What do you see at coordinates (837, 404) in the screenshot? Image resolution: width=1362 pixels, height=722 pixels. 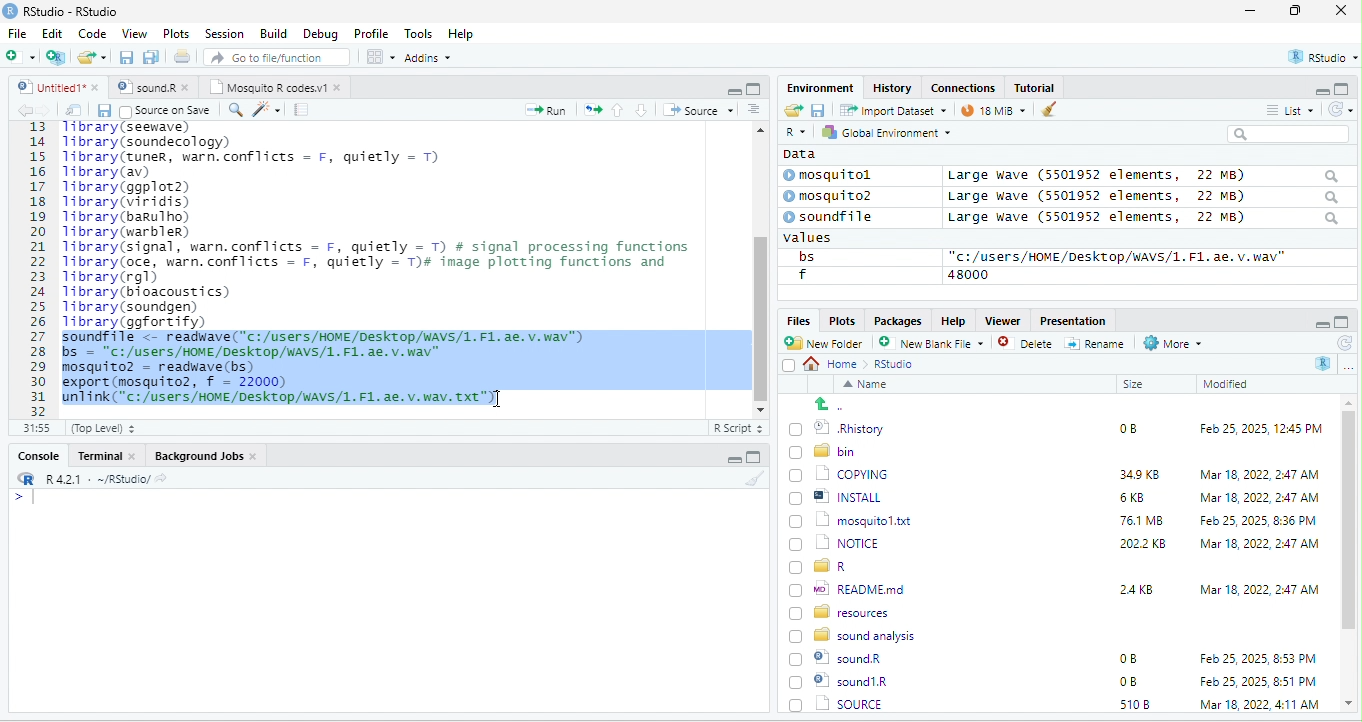 I see `go back` at bounding box center [837, 404].